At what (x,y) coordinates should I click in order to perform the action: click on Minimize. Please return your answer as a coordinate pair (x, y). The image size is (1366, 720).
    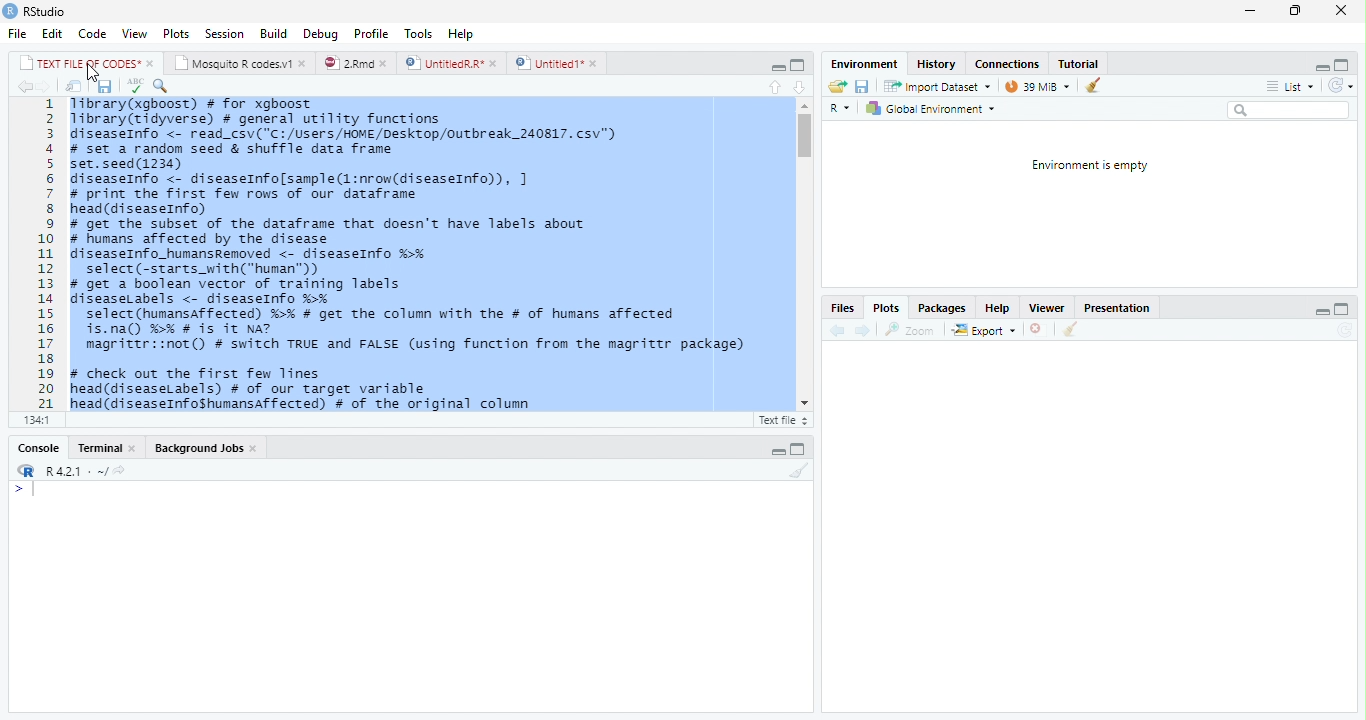
    Looking at the image, I should click on (779, 451).